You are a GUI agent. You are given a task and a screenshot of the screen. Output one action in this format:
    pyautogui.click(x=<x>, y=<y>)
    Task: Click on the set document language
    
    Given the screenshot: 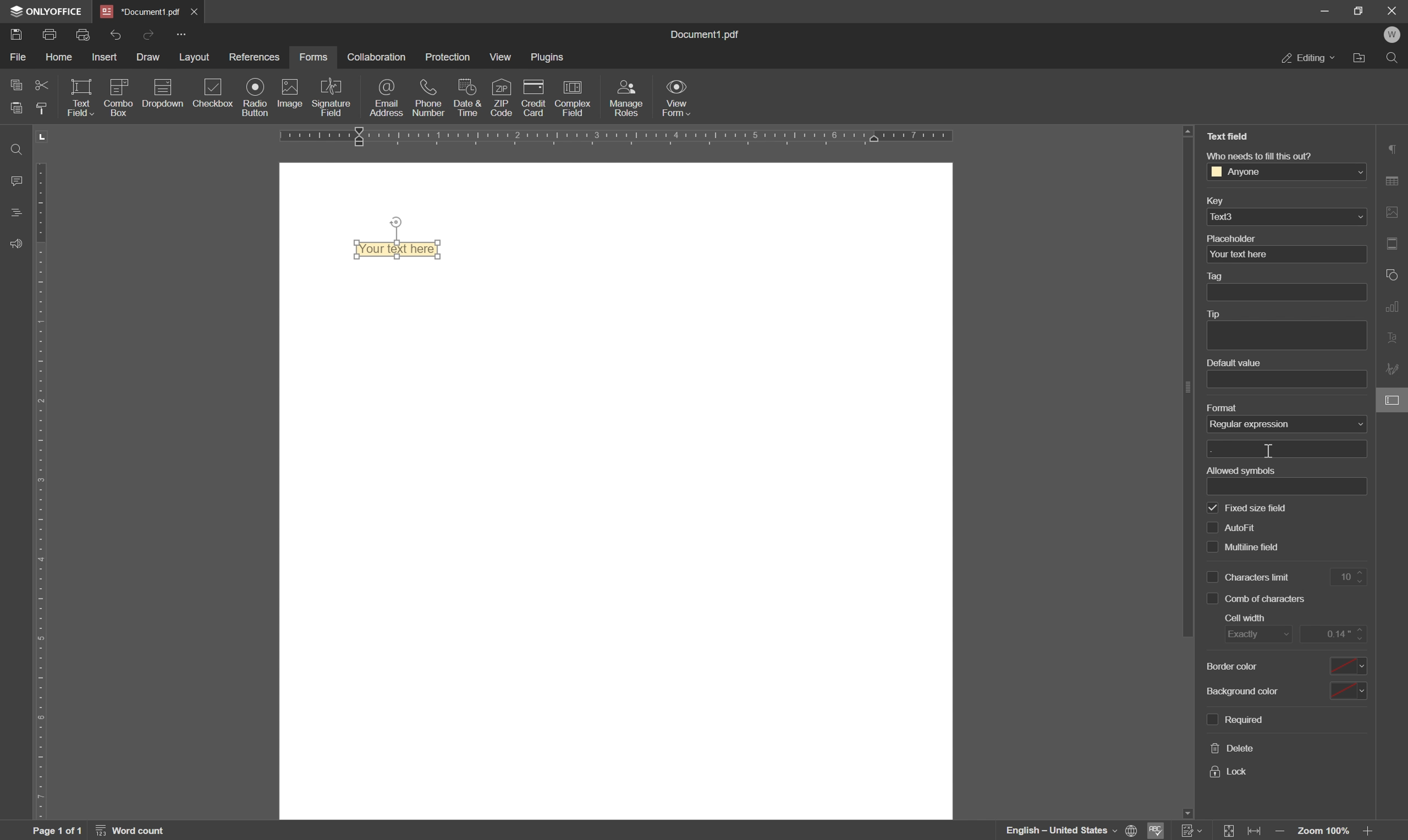 What is the action you would take?
    pyautogui.click(x=1071, y=830)
    